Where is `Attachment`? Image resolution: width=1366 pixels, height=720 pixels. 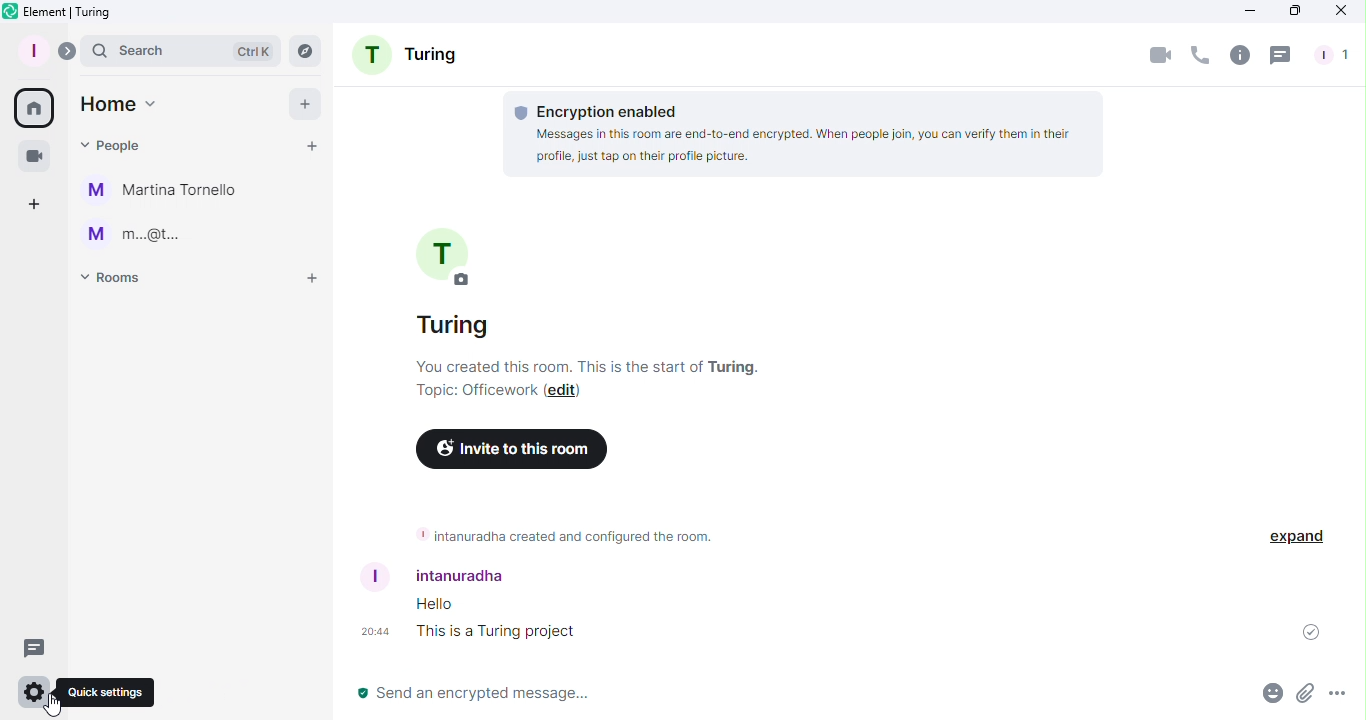 Attachment is located at coordinates (1306, 697).